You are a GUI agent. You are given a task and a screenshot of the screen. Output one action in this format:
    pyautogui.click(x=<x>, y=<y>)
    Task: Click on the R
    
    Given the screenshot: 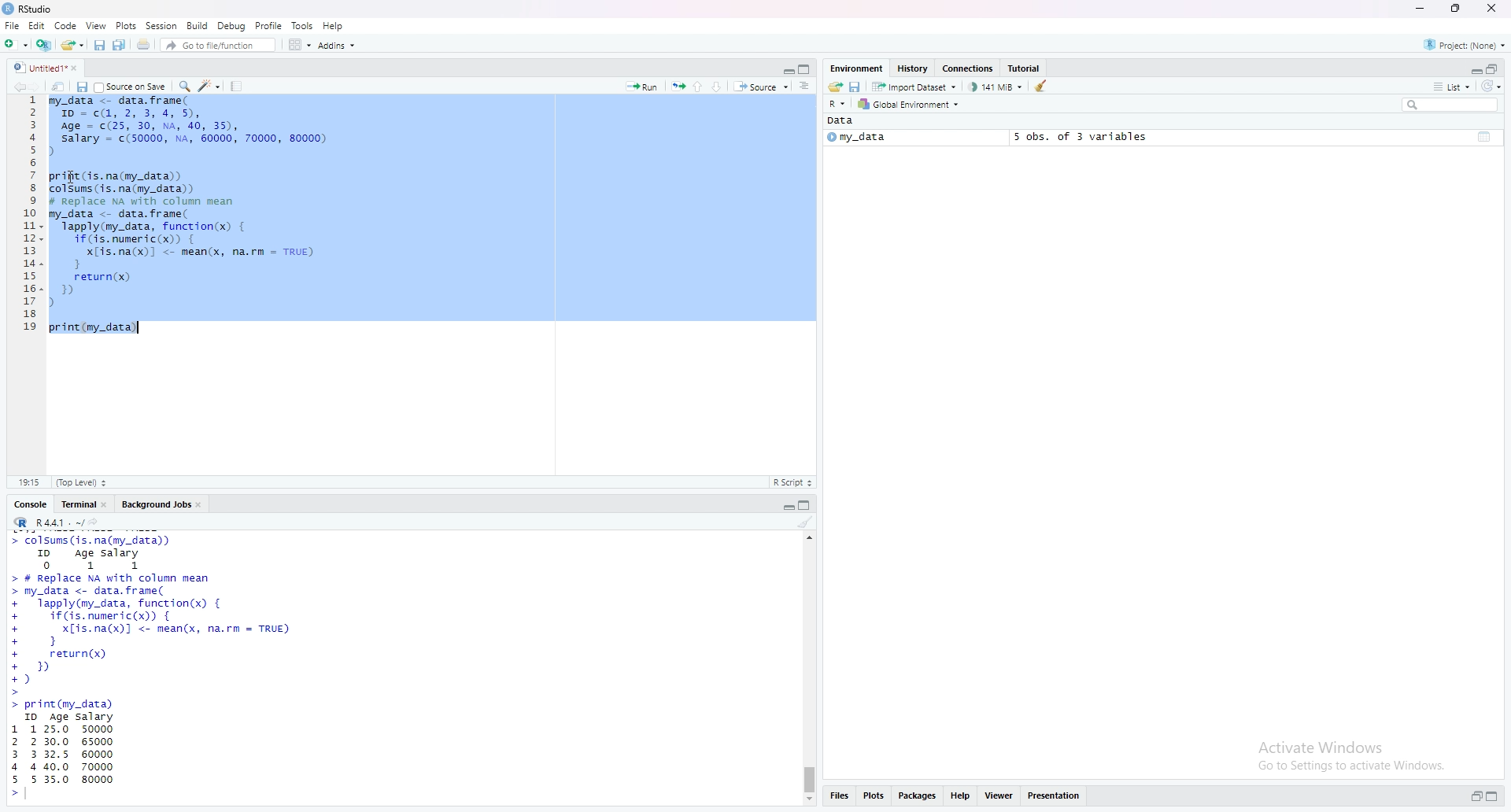 What is the action you would take?
    pyautogui.click(x=837, y=105)
    